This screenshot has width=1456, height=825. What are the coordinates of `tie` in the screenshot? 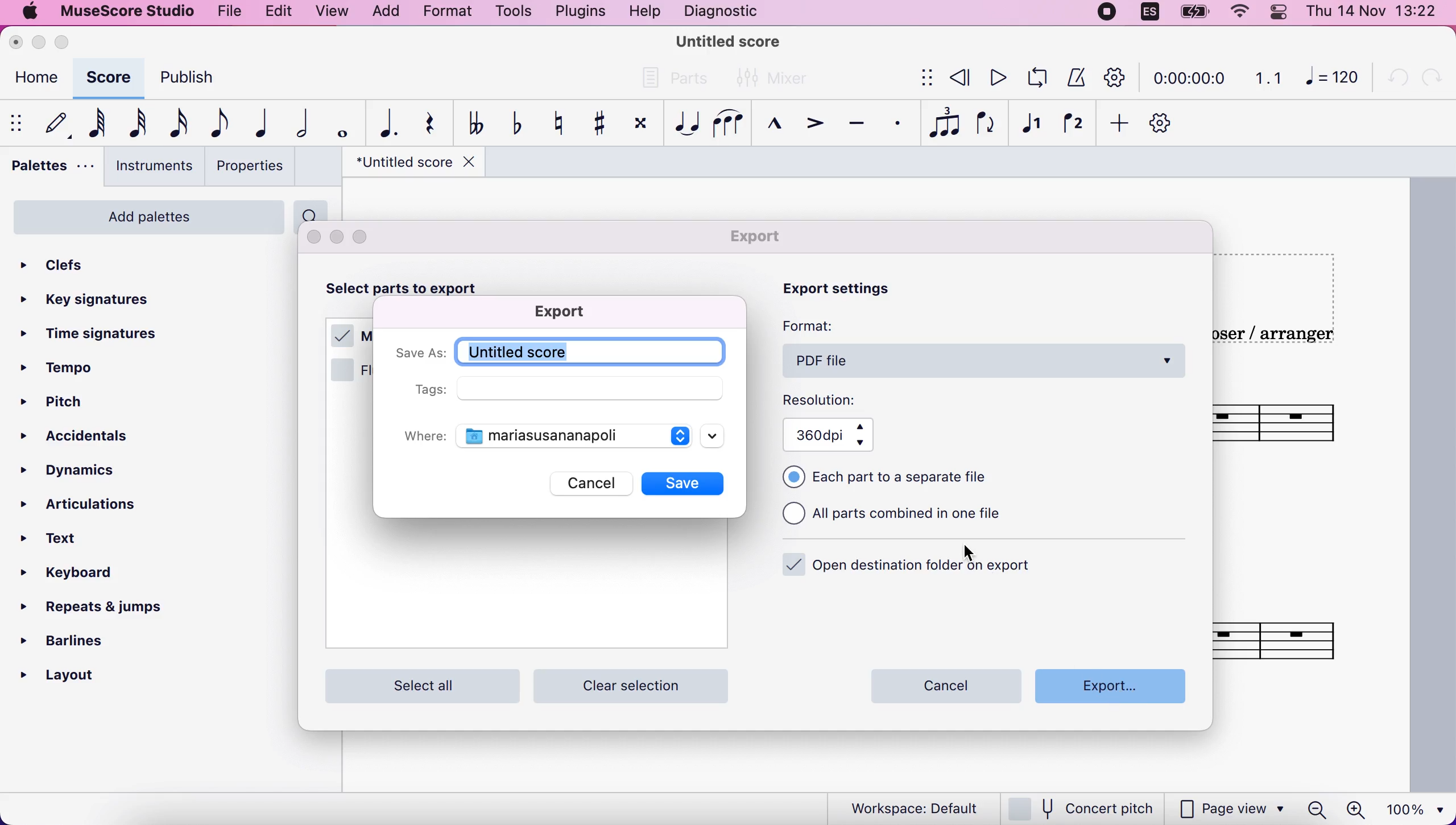 It's located at (685, 125).